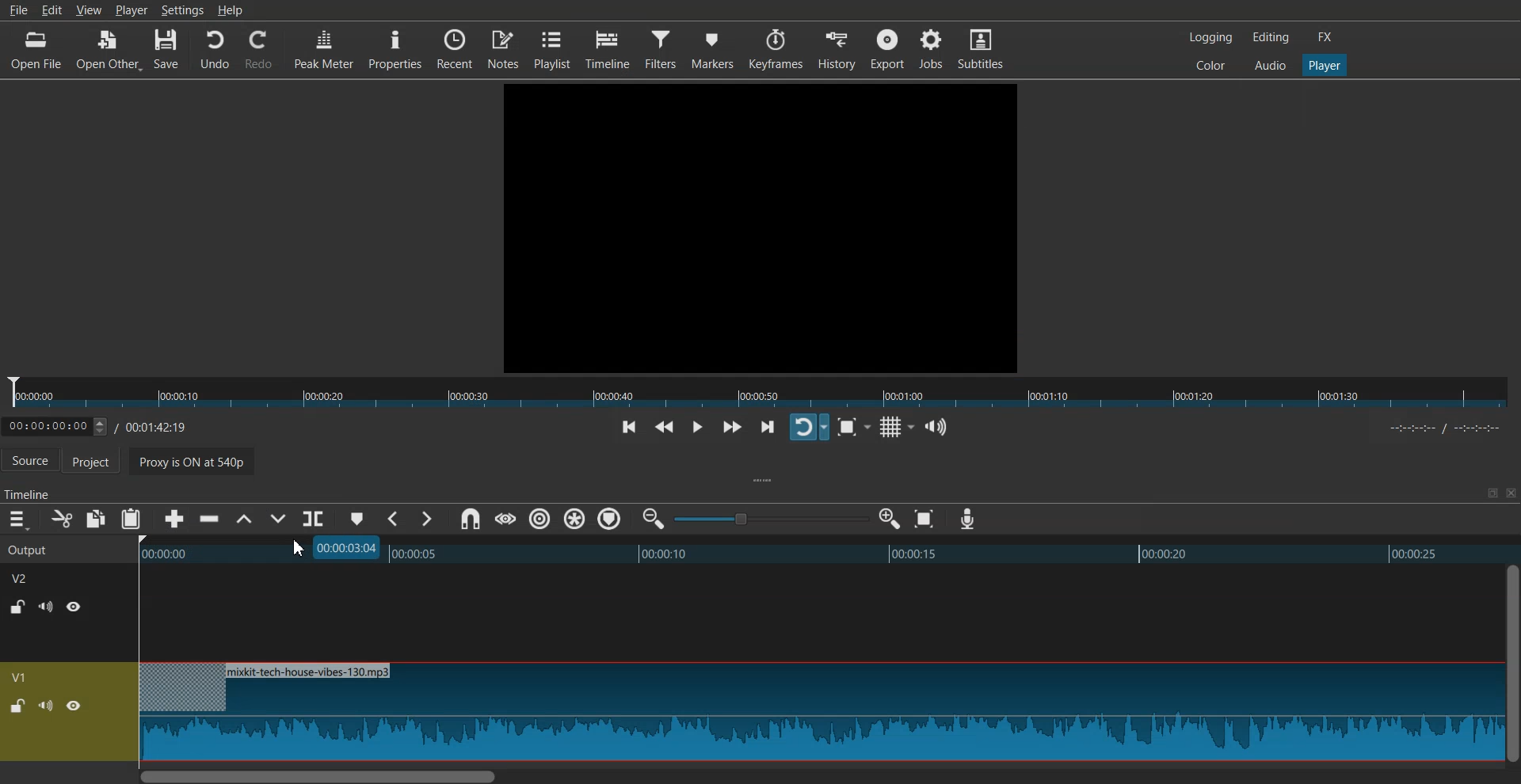 Image resolution: width=1521 pixels, height=784 pixels. What do you see at coordinates (819, 713) in the screenshot?
I see `Audio waveform` at bounding box center [819, 713].